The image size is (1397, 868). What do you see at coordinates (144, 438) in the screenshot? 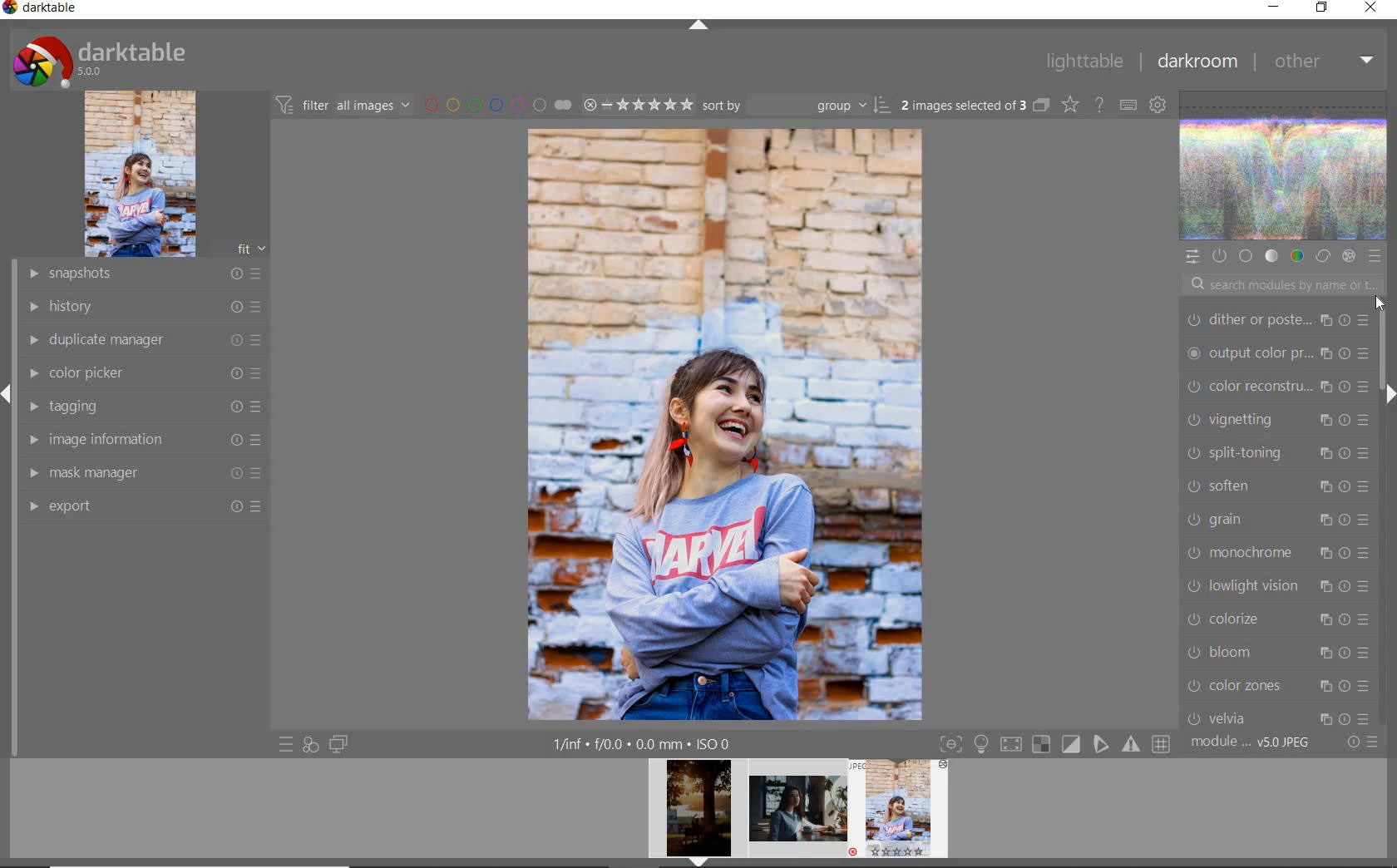
I see `image information` at bounding box center [144, 438].